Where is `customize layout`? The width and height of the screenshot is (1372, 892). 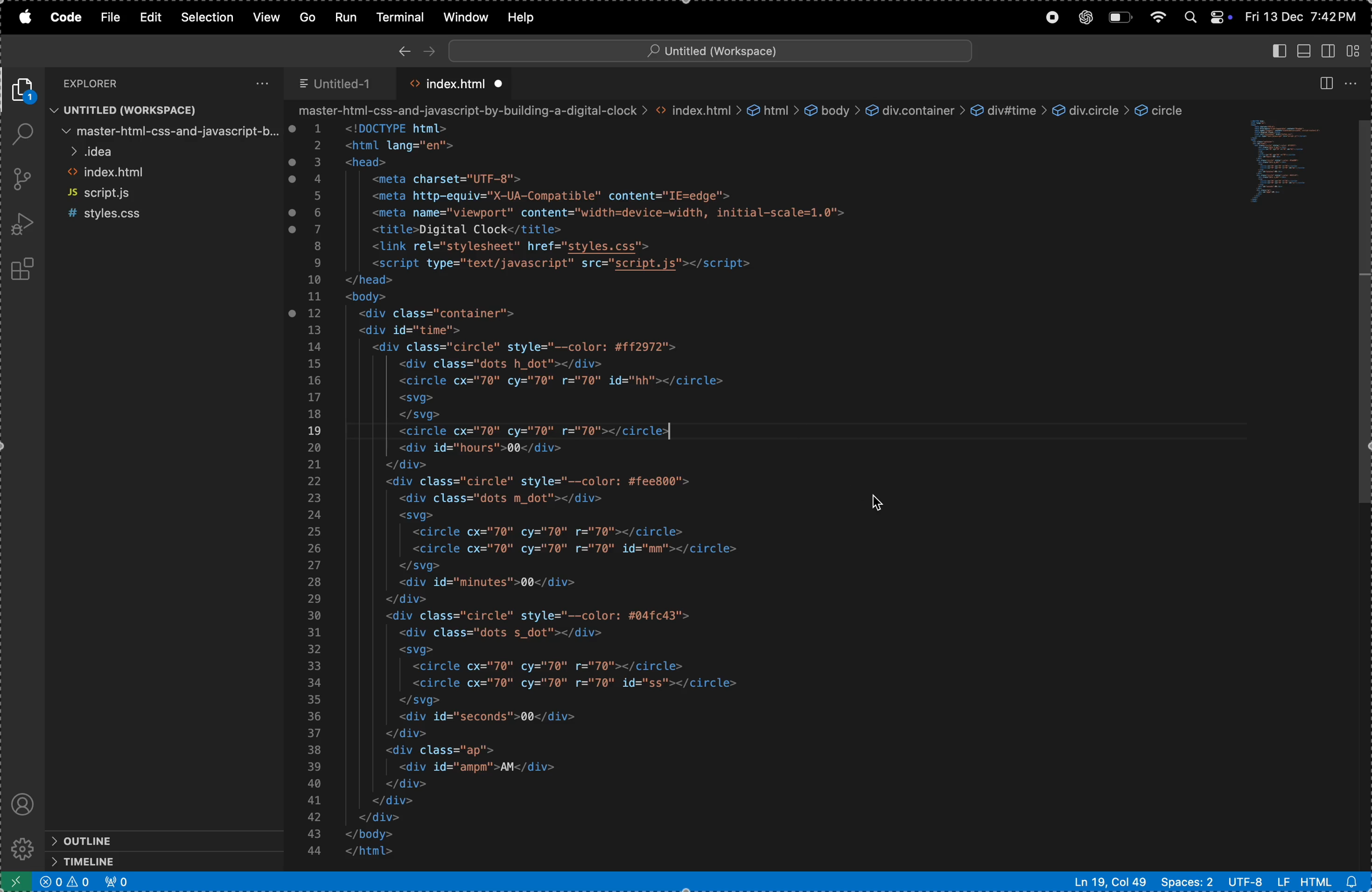
customize layout is located at coordinates (1358, 49).